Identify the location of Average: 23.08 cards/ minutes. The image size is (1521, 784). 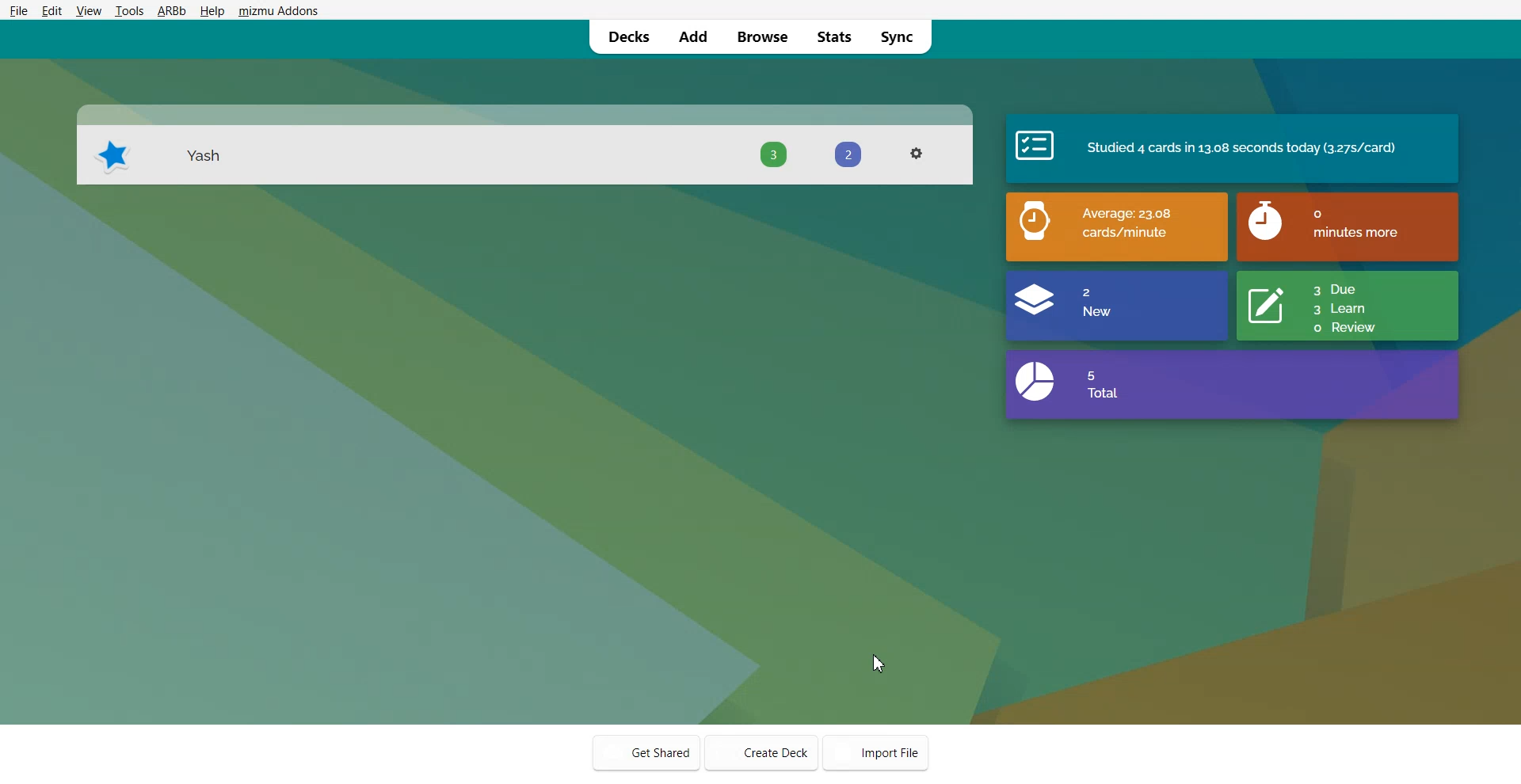
(1115, 226).